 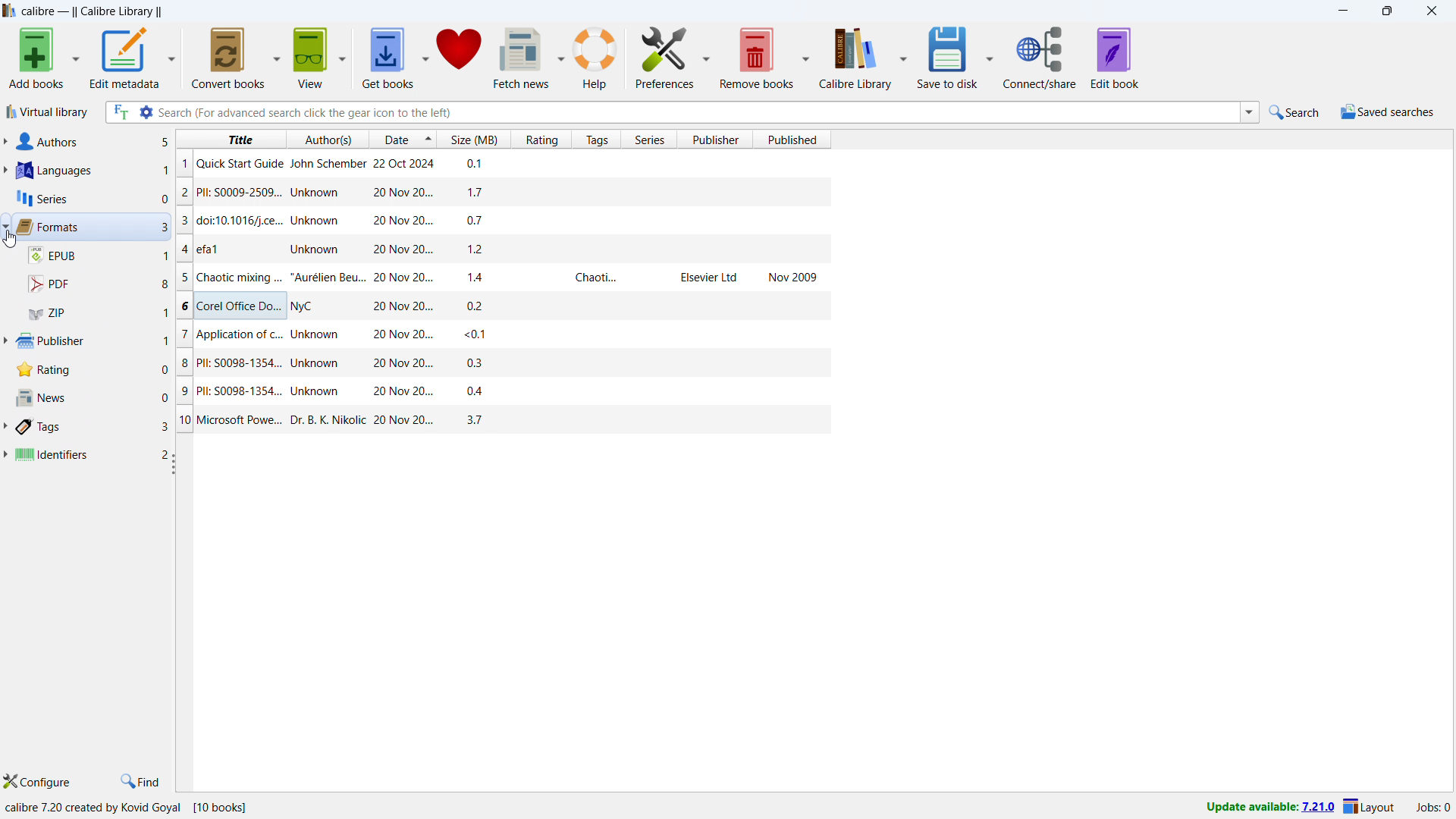 What do you see at coordinates (707, 55) in the screenshot?
I see `preferences options` at bounding box center [707, 55].